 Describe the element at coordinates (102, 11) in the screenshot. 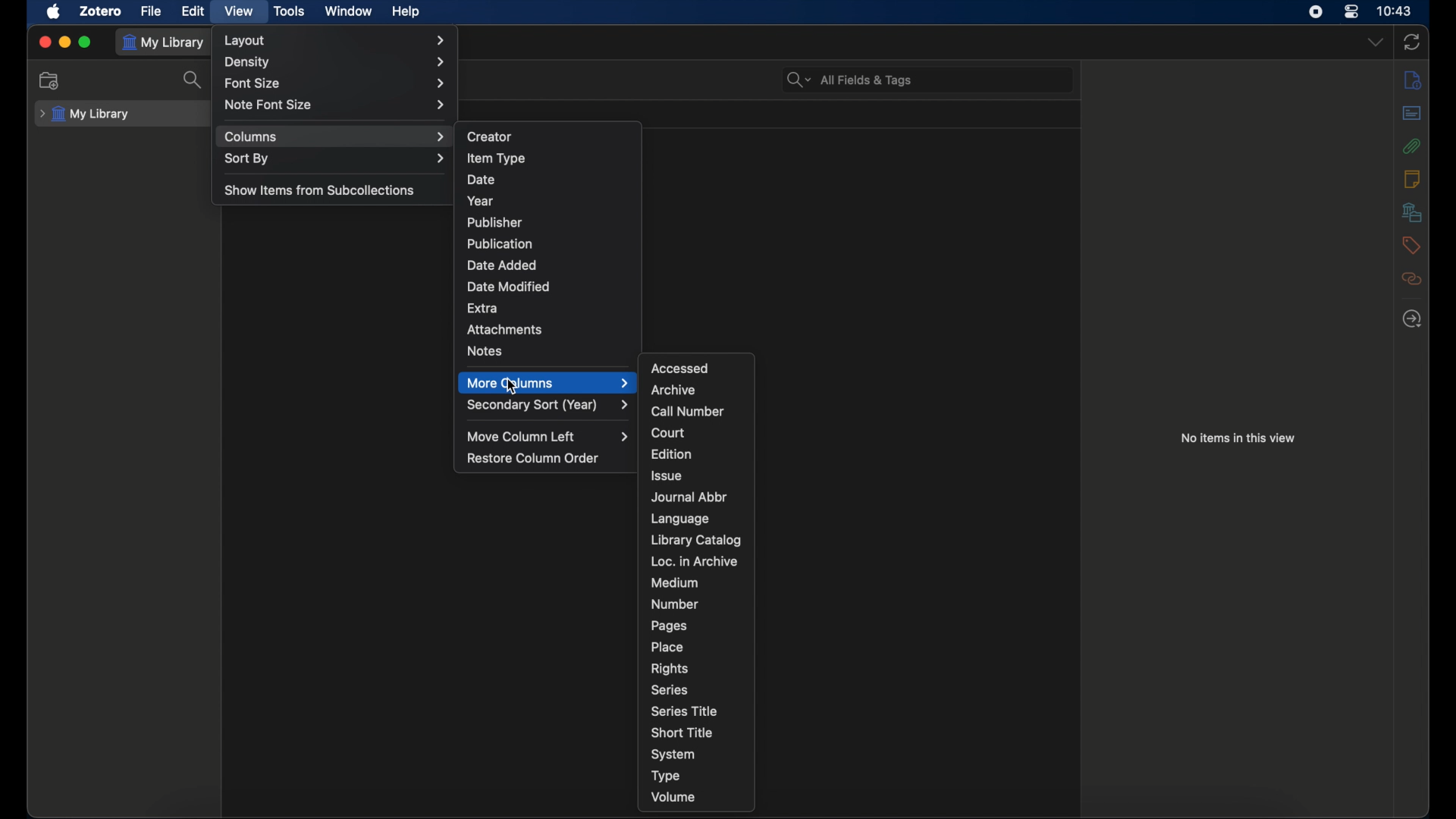

I see `zotero` at that location.